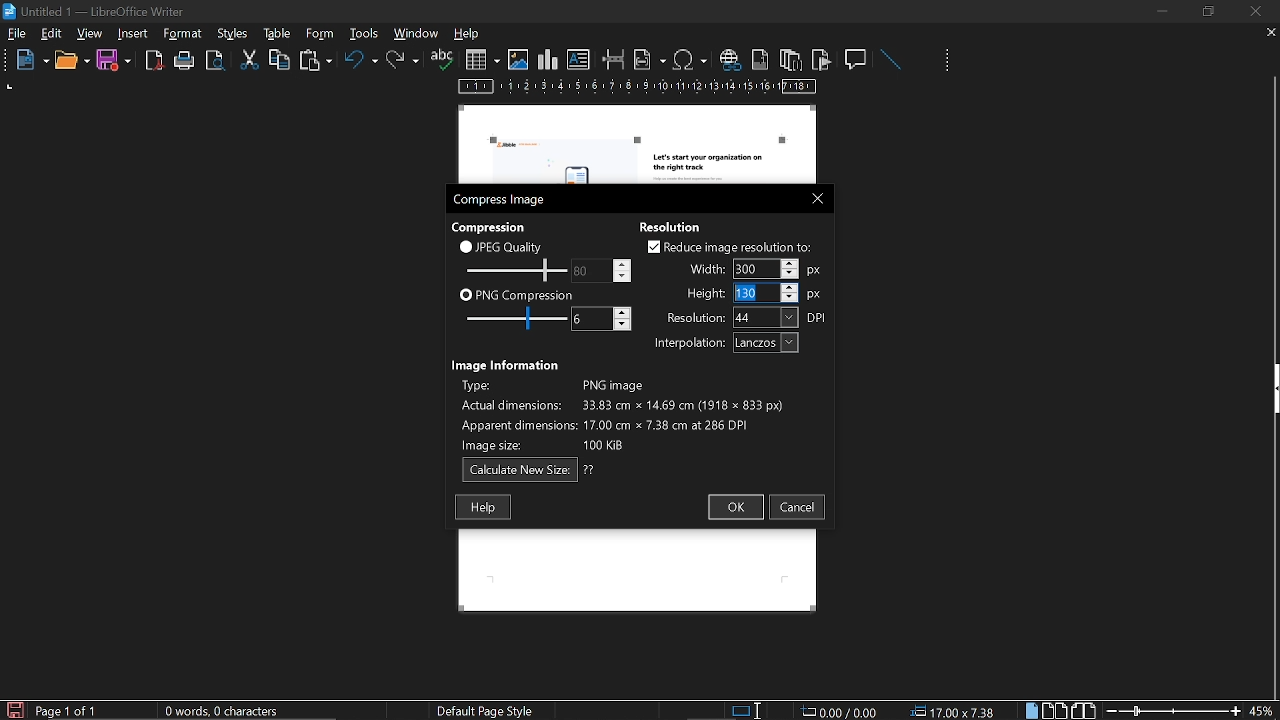 Image resolution: width=1280 pixels, height=720 pixels. Describe the element at coordinates (134, 34) in the screenshot. I see `insert` at that location.